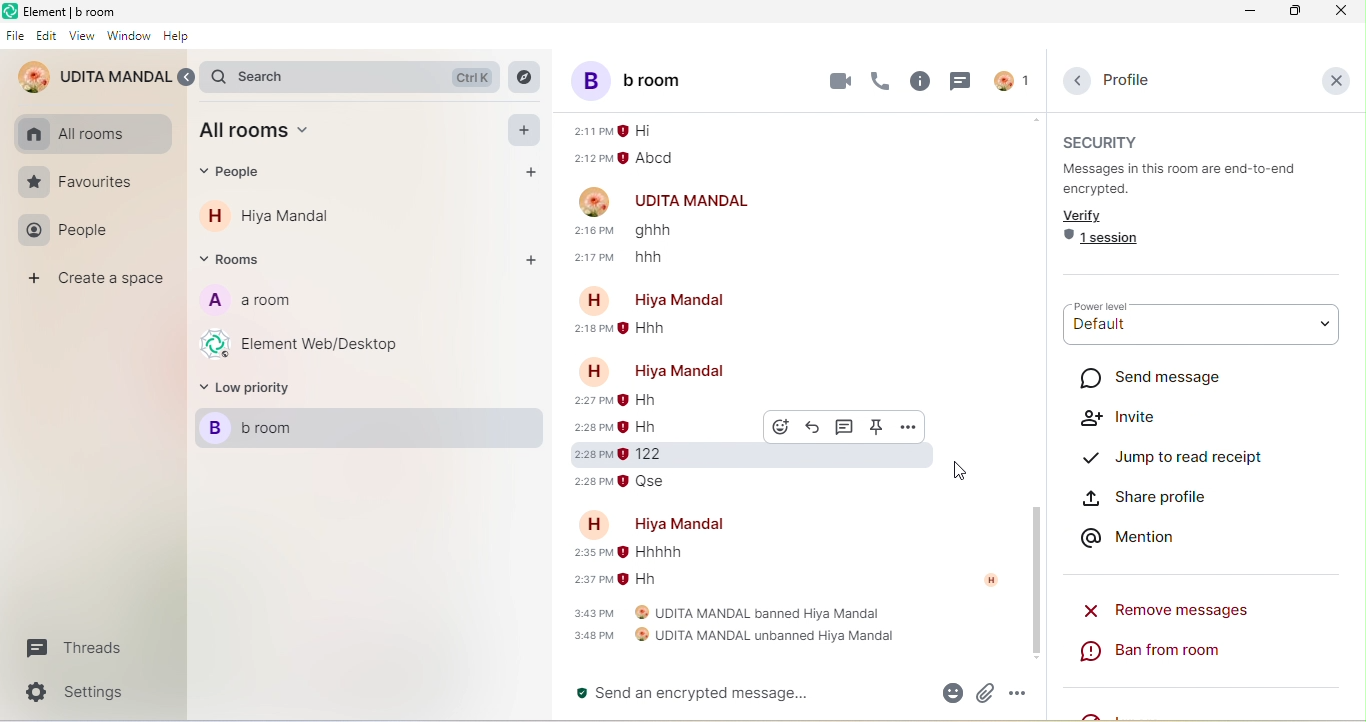  Describe the element at coordinates (289, 216) in the screenshot. I see `hiya mandal` at that location.